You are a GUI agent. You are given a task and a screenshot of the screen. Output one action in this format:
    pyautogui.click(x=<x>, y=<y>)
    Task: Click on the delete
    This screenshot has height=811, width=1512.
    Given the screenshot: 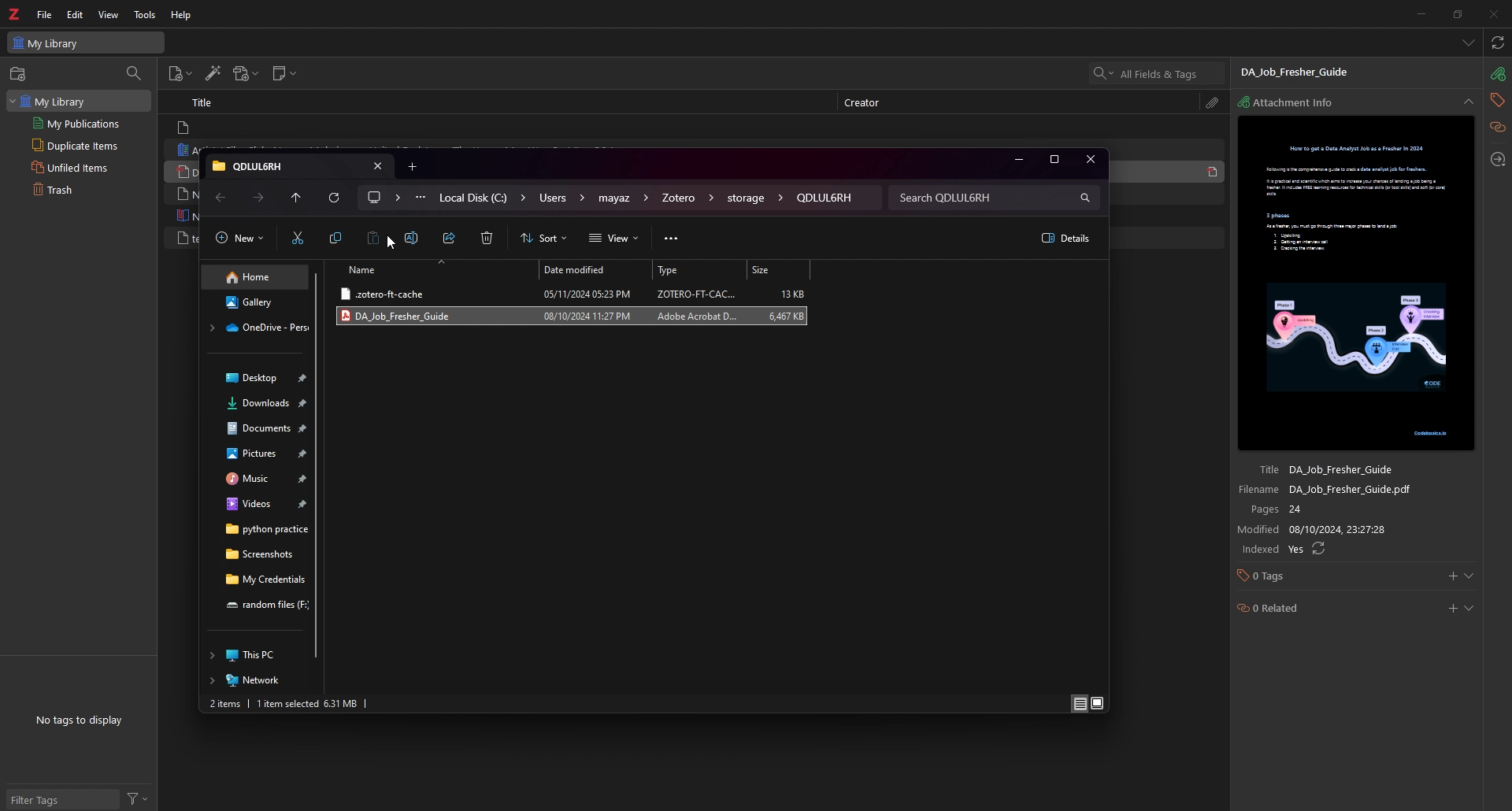 What is the action you would take?
    pyautogui.click(x=487, y=239)
    